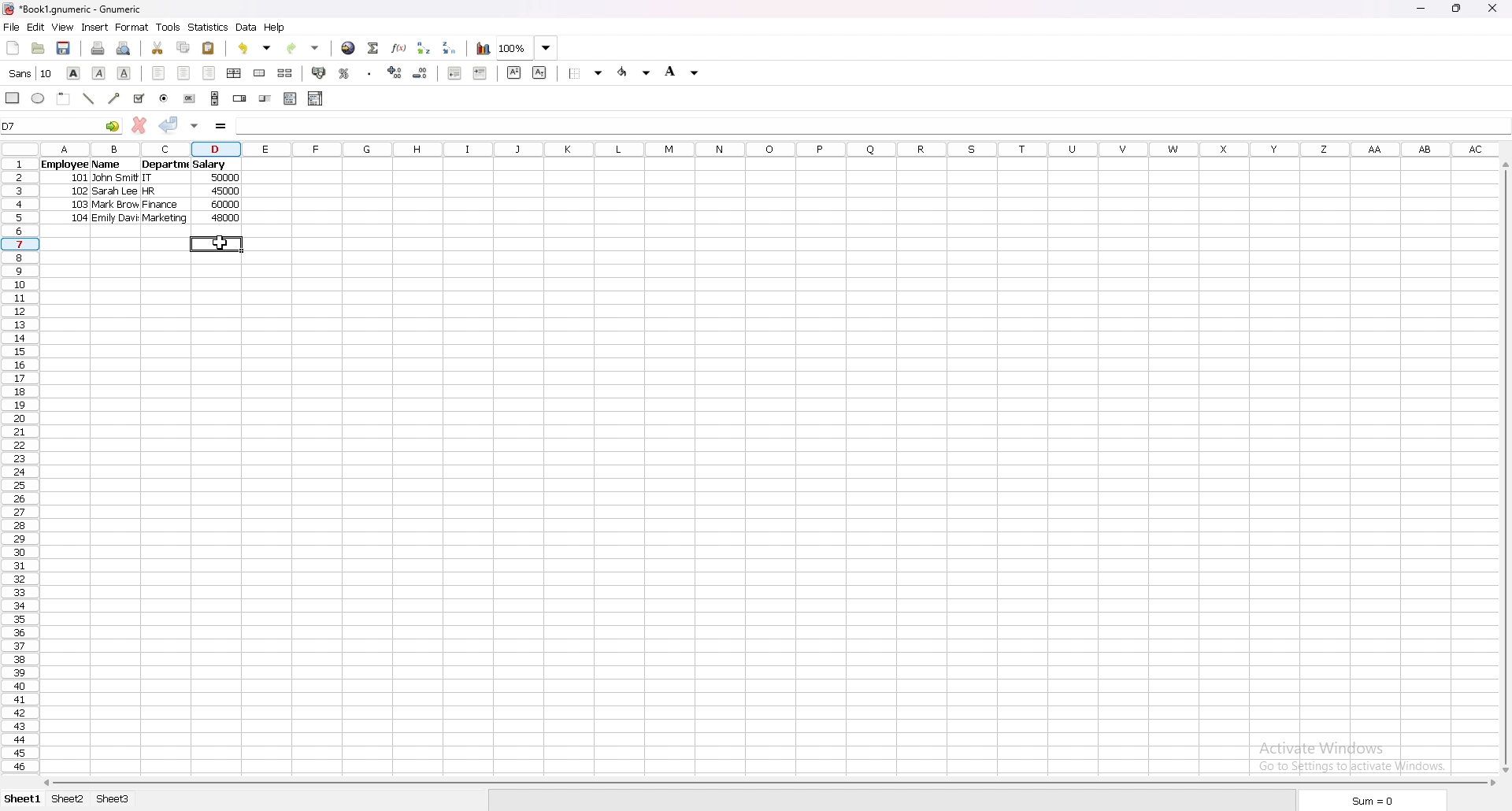 The height and width of the screenshot is (811, 1512). What do you see at coordinates (450, 48) in the screenshot?
I see `sort descending` at bounding box center [450, 48].